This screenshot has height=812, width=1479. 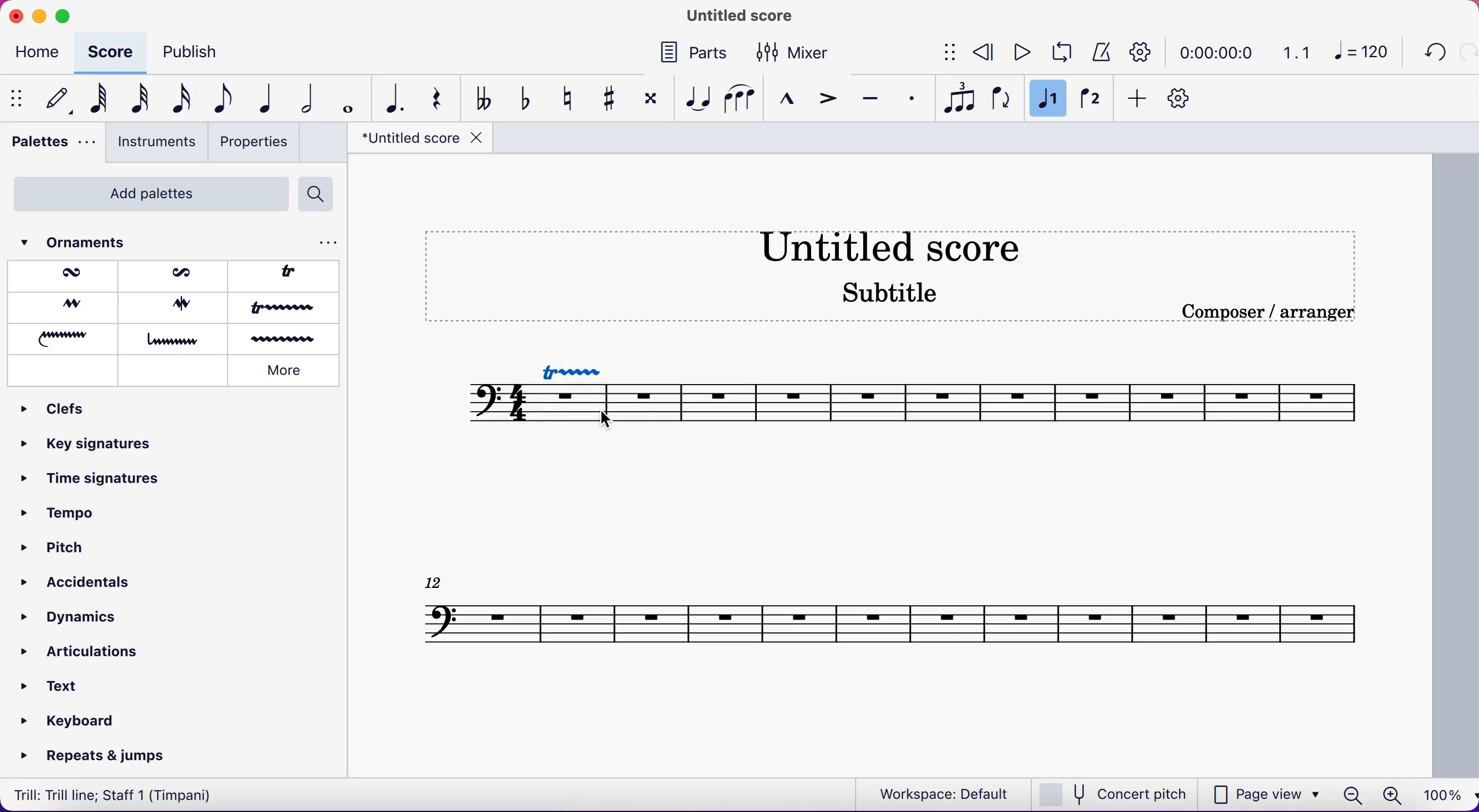 What do you see at coordinates (87, 653) in the screenshot?
I see `articulations` at bounding box center [87, 653].